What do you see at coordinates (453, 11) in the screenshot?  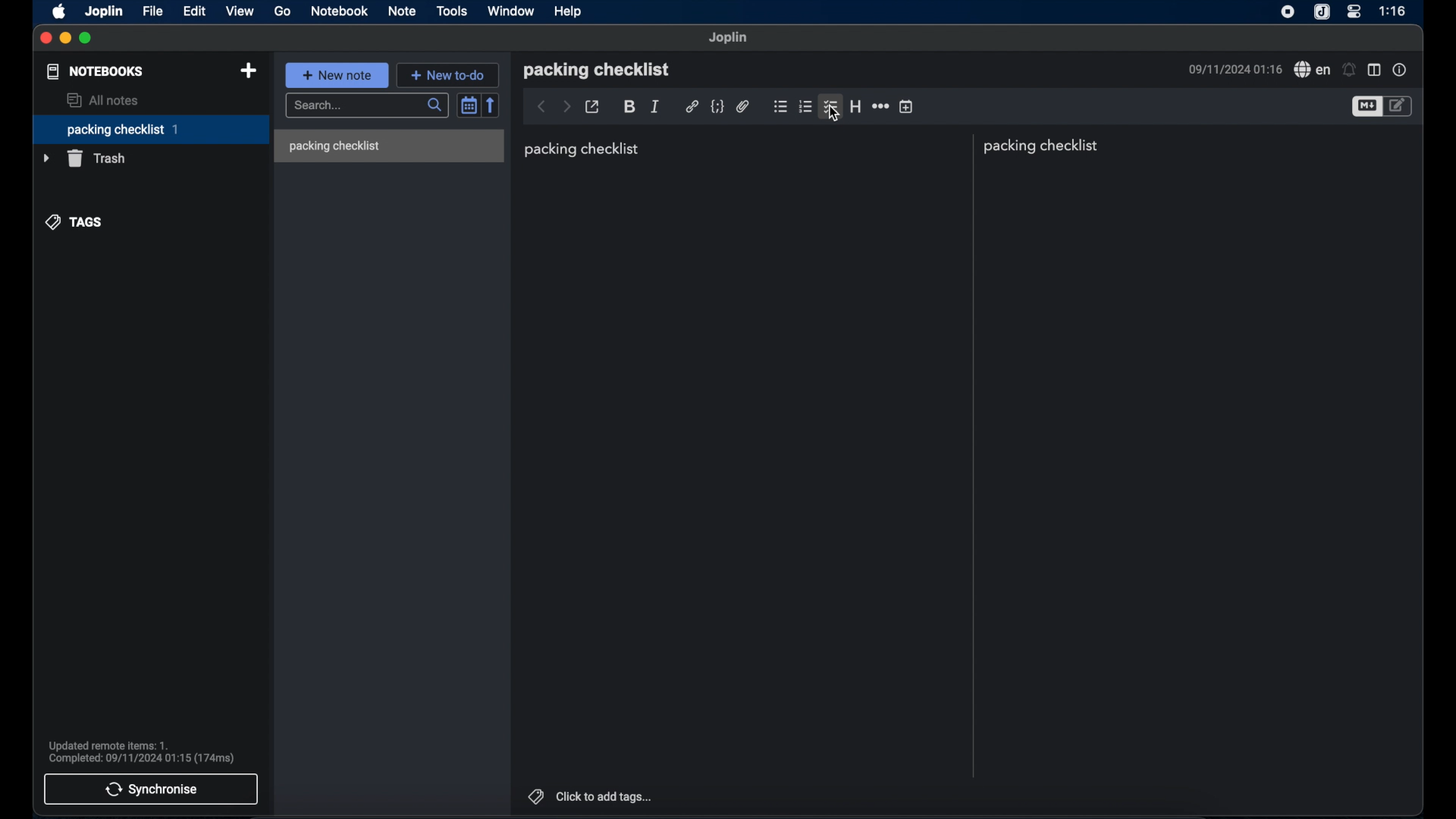 I see `tools` at bounding box center [453, 11].